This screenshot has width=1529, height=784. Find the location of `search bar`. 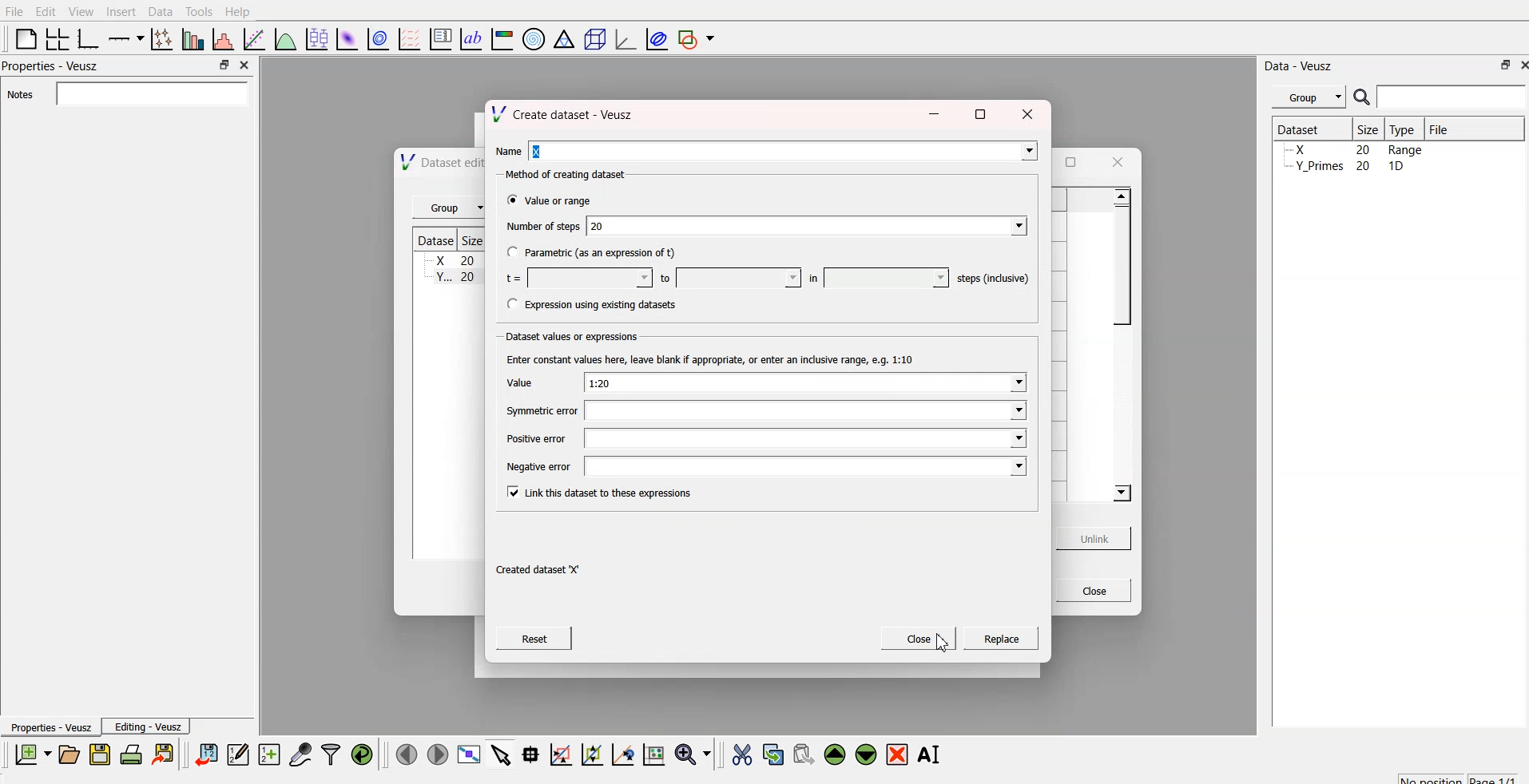

search bar is located at coordinates (149, 93).